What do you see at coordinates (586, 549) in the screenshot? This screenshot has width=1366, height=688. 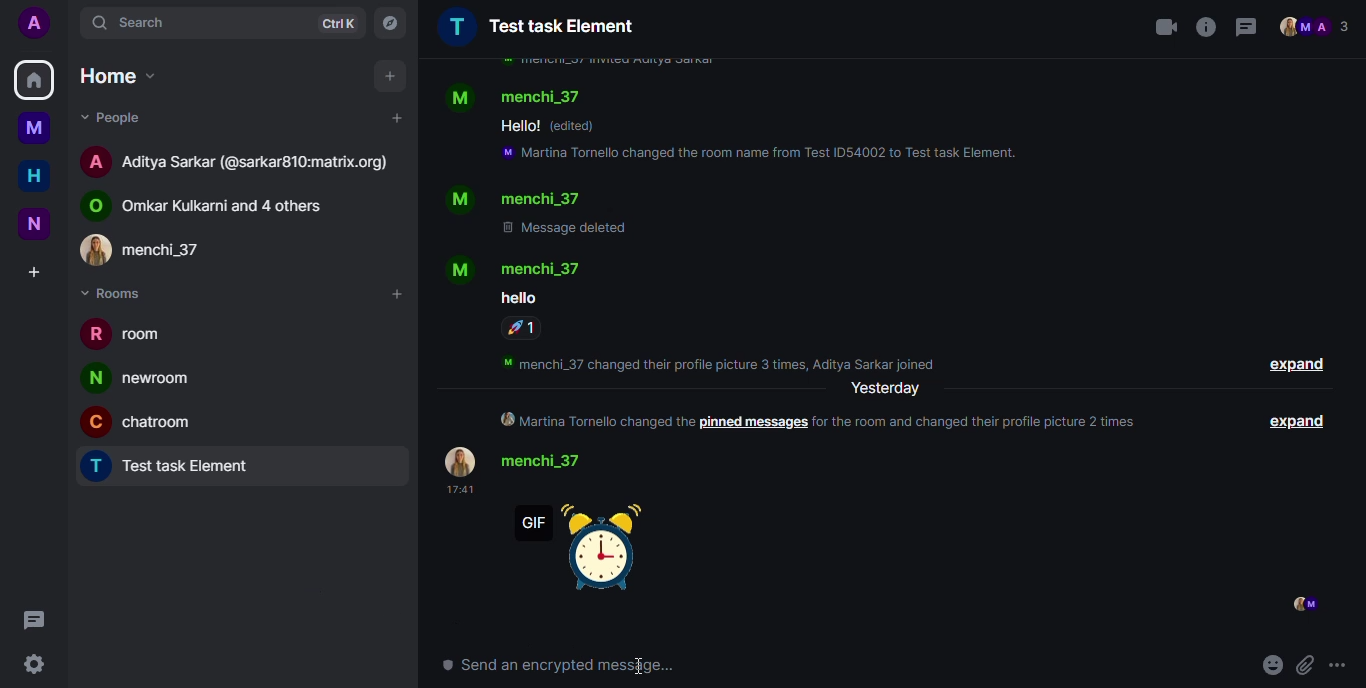 I see `gif` at bounding box center [586, 549].